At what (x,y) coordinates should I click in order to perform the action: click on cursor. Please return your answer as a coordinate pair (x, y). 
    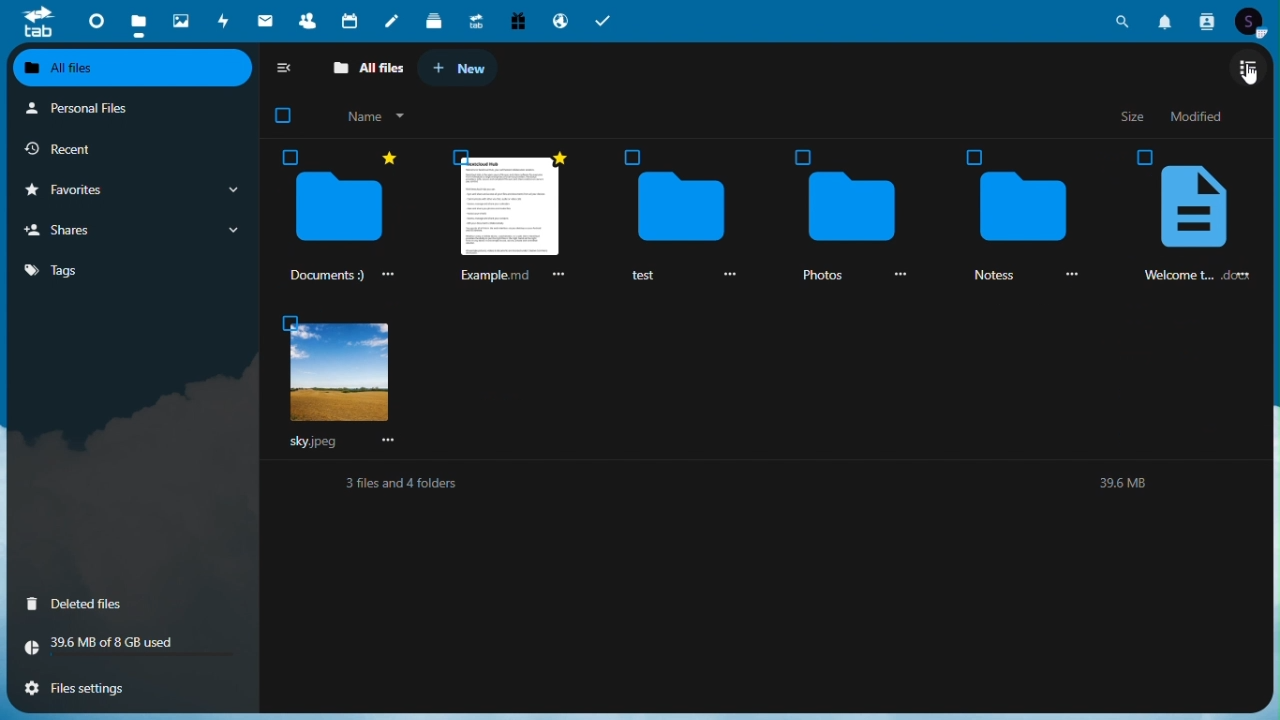
    Looking at the image, I should click on (1249, 76).